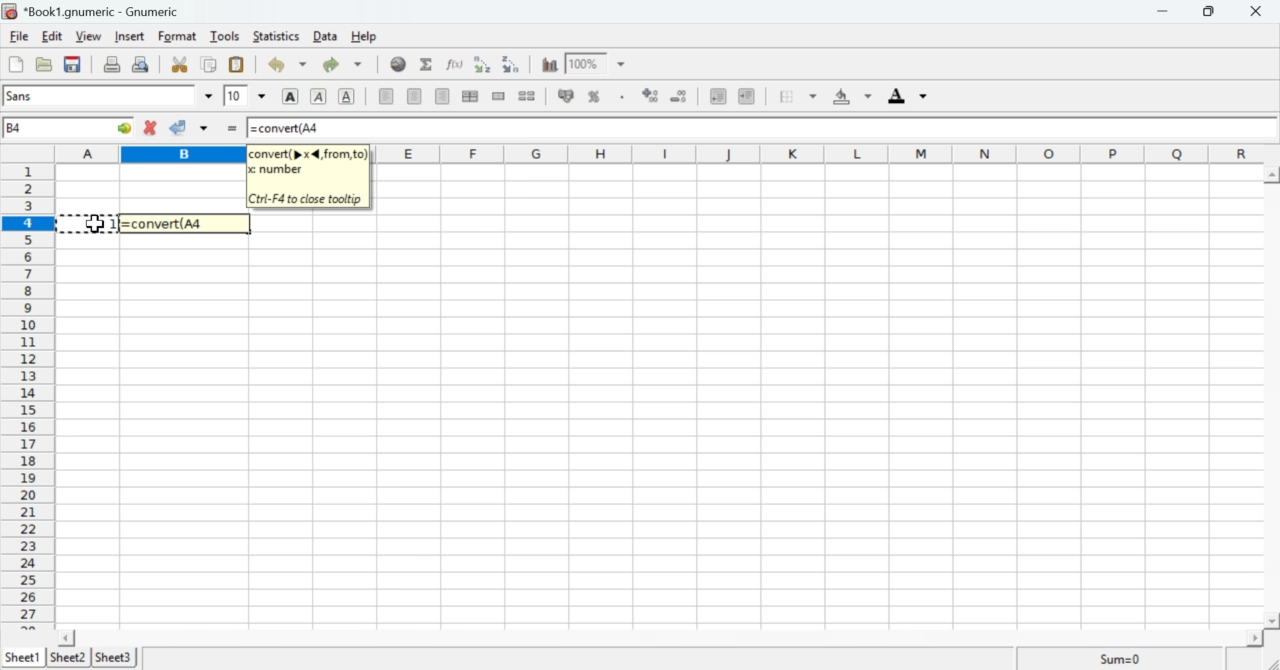  What do you see at coordinates (498, 96) in the screenshot?
I see `Merge a range of cells` at bounding box center [498, 96].